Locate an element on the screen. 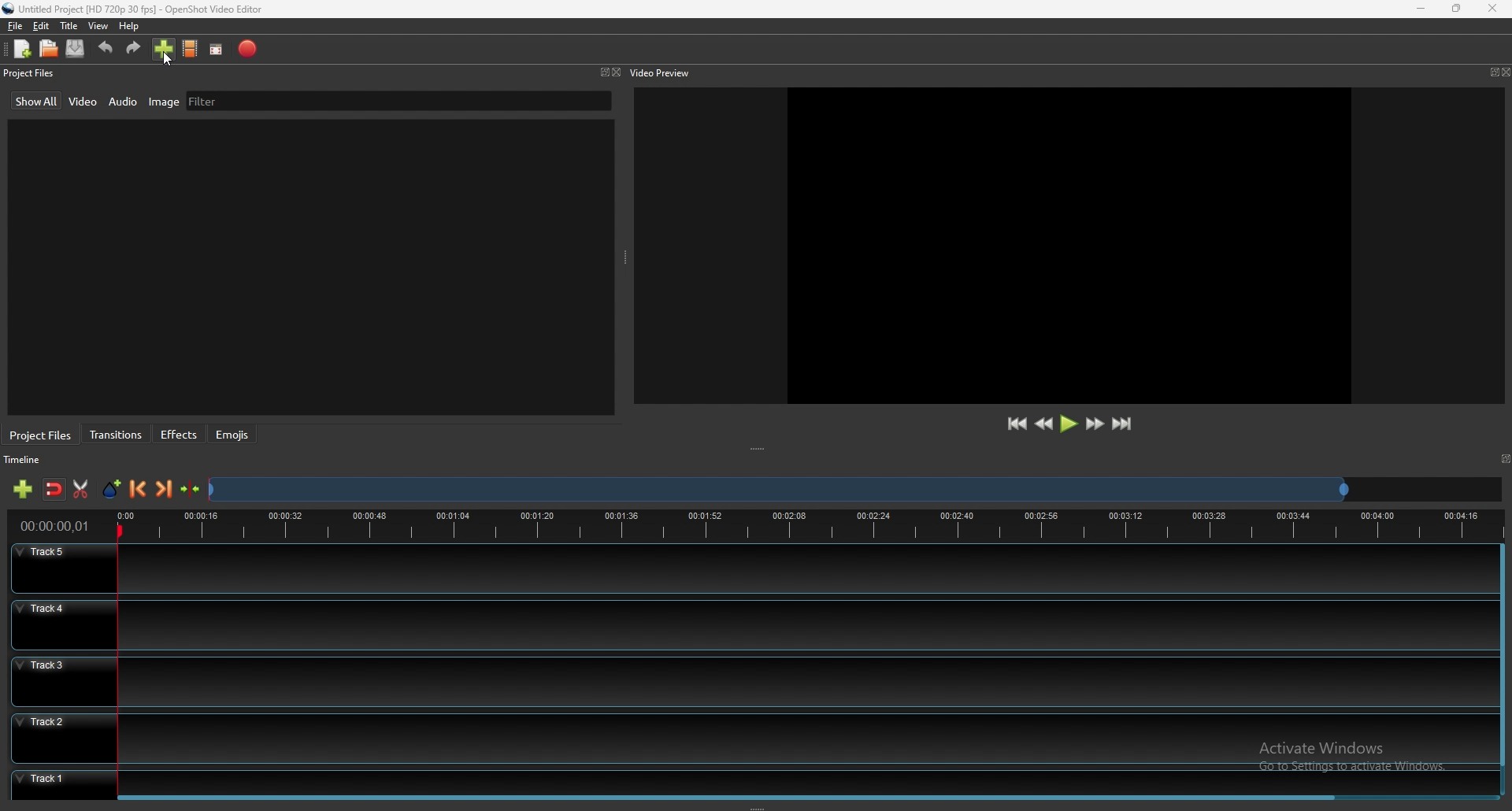  next marker is located at coordinates (165, 488).